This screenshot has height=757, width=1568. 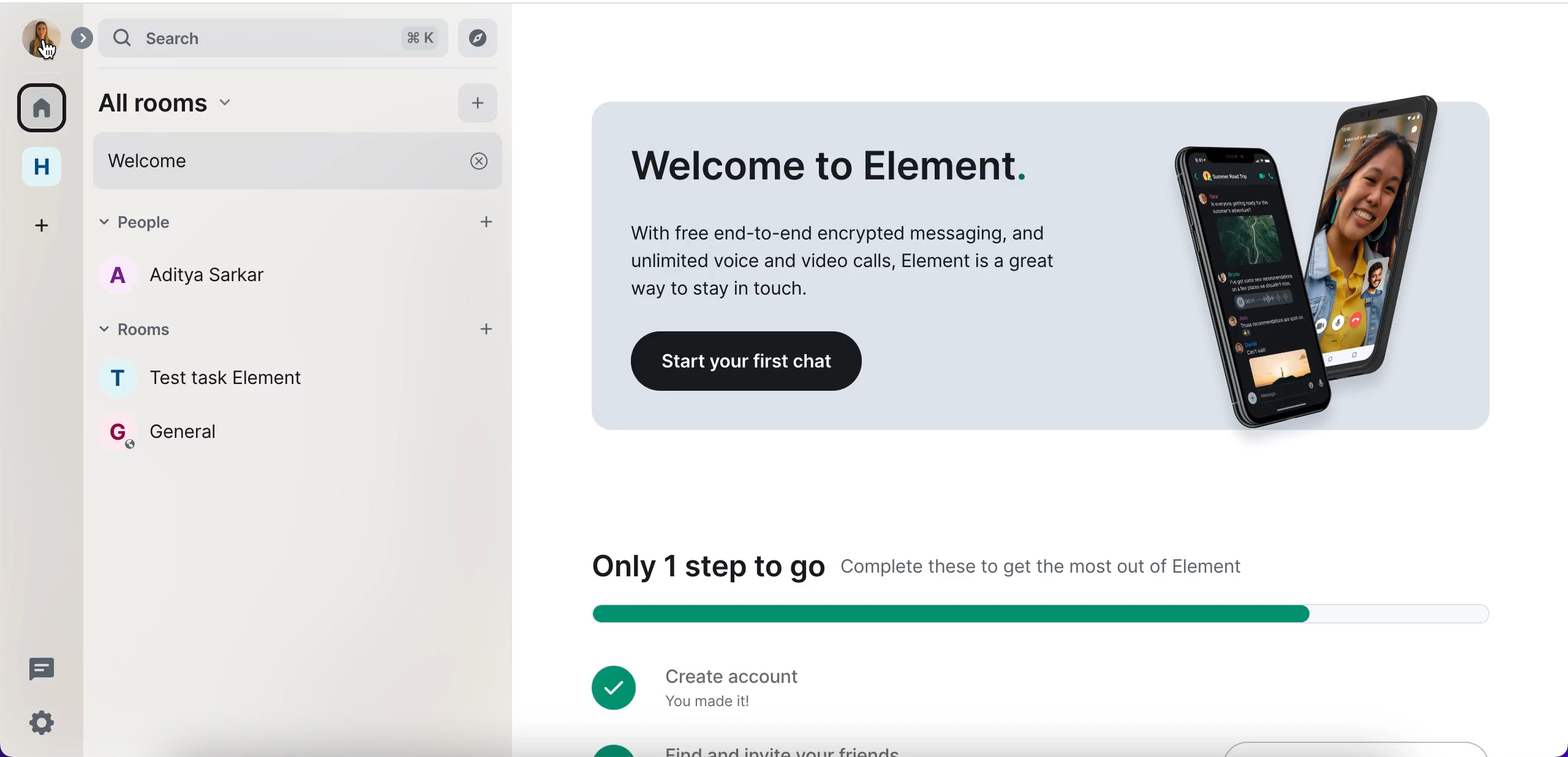 I want to click on quick settings, so click(x=39, y=722).